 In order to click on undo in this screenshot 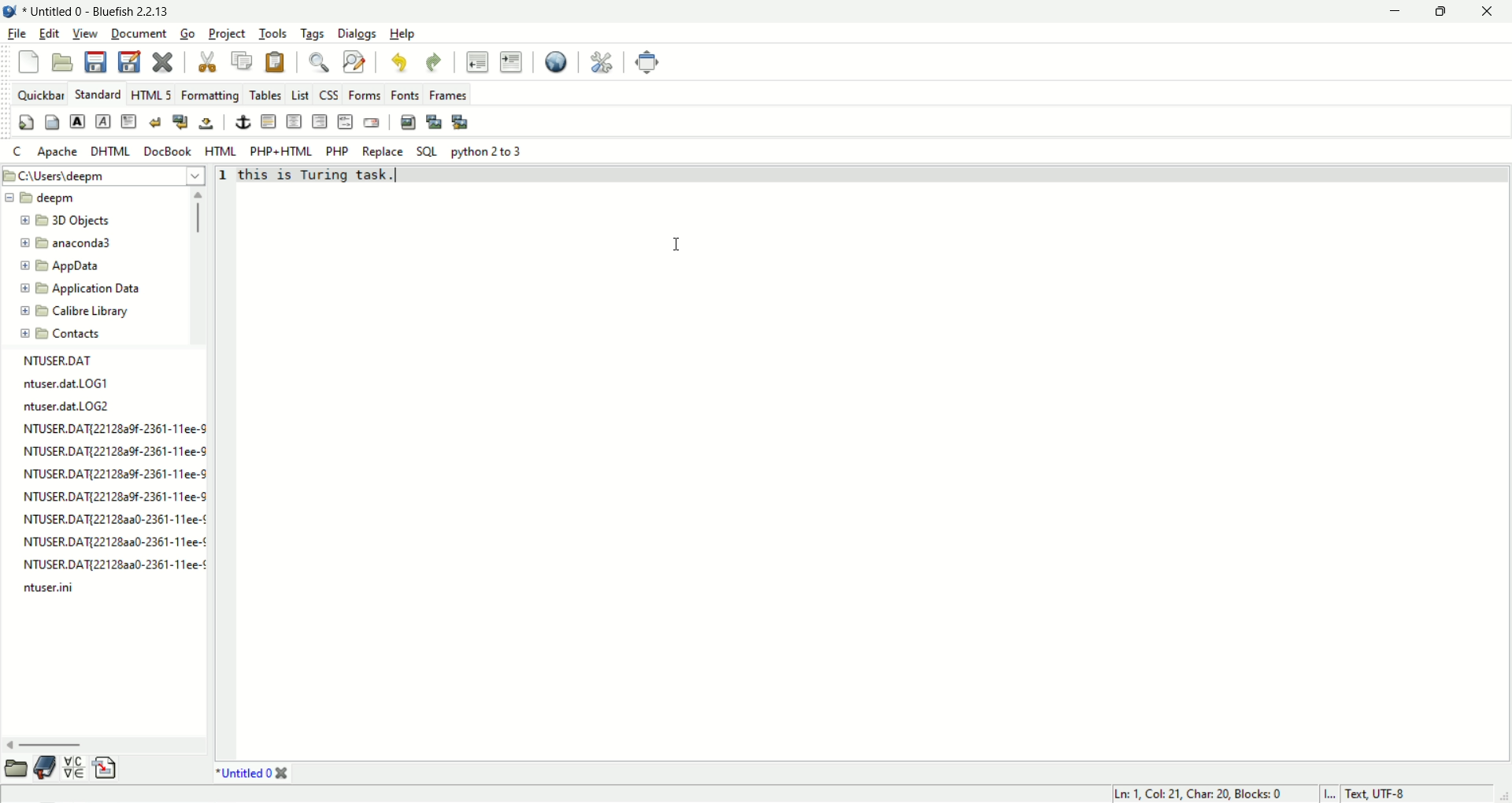, I will do `click(398, 64)`.